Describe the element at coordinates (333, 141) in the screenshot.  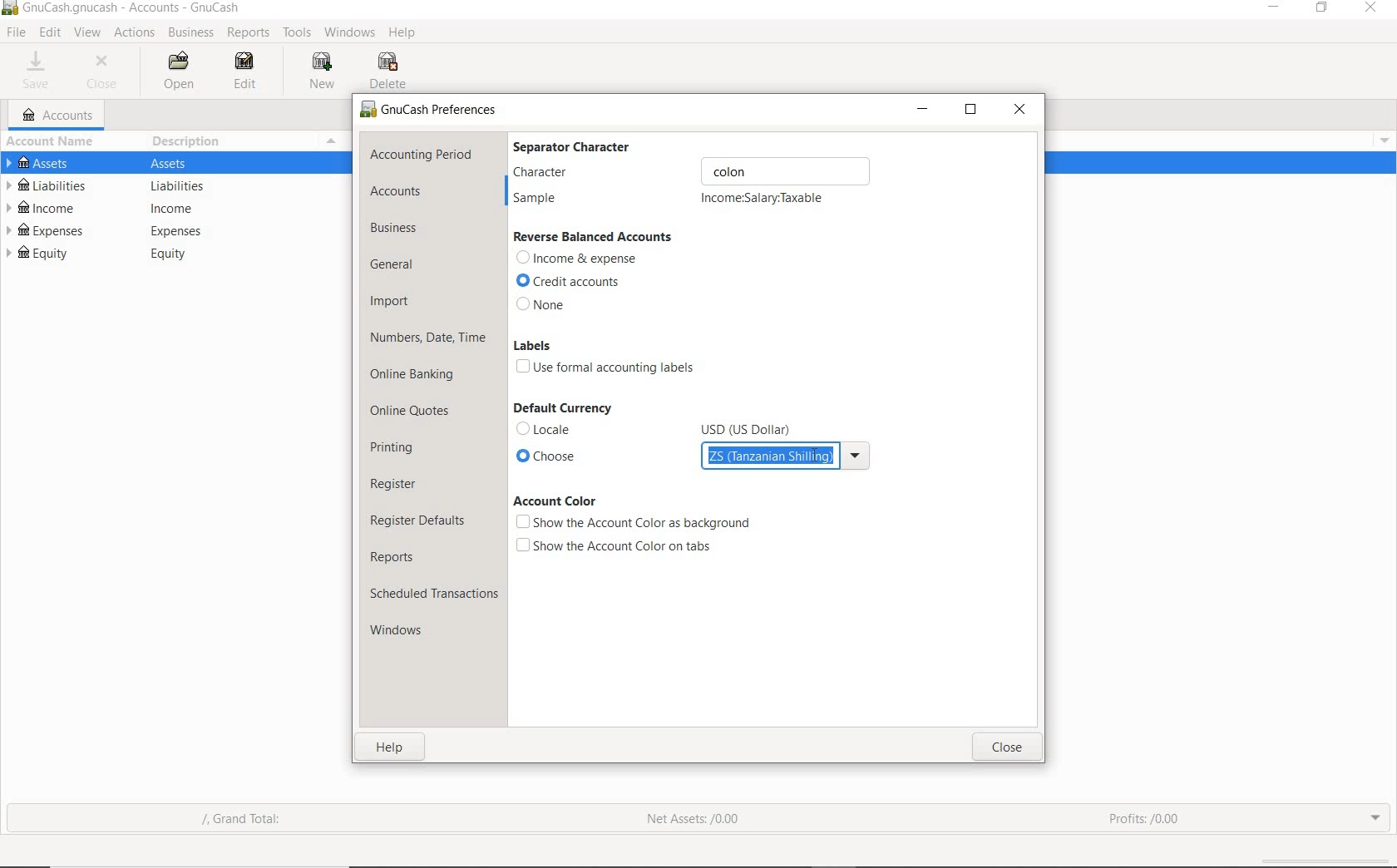
I see `Menu` at that location.